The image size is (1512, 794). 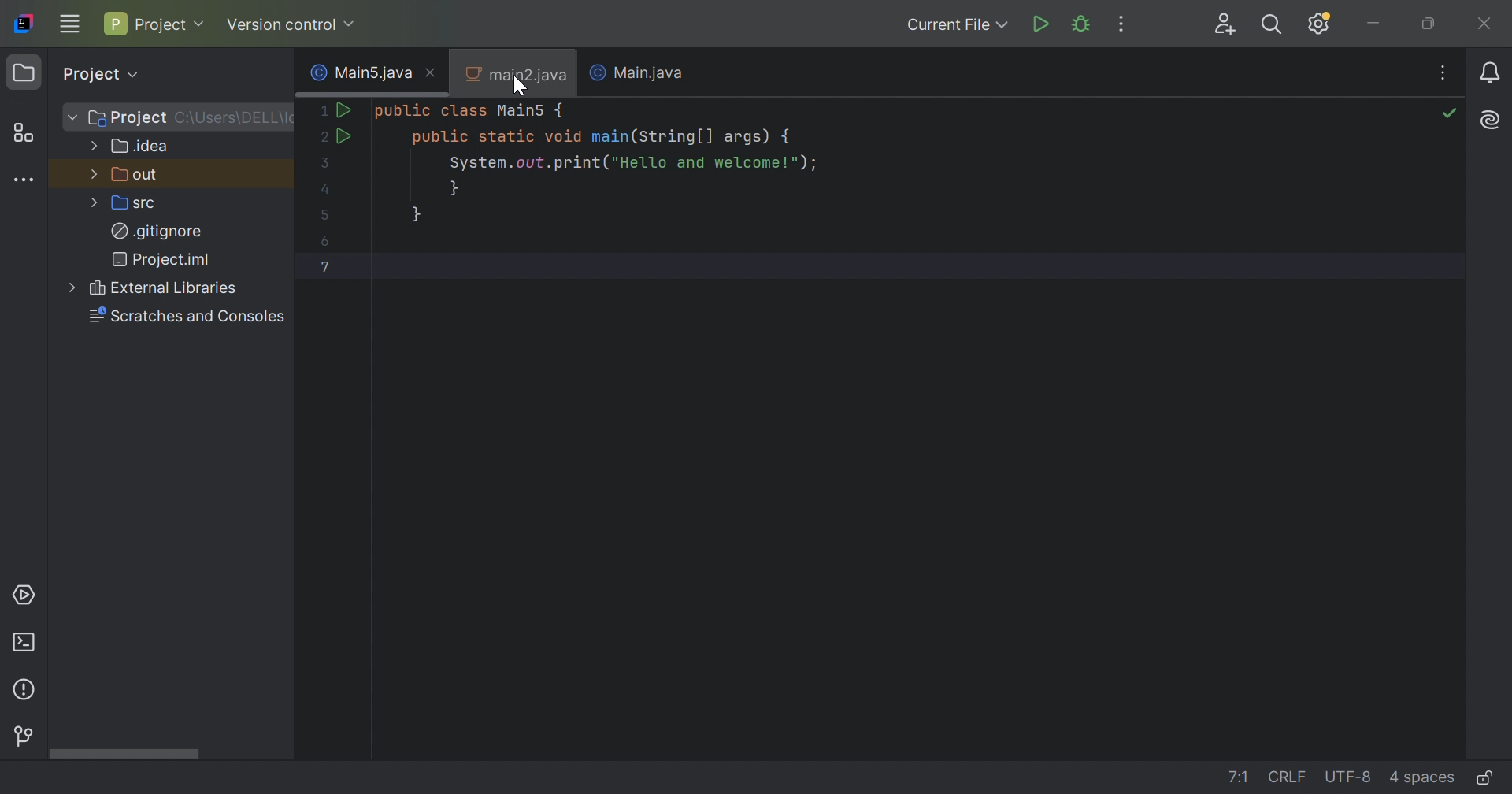 What do you see at coordinates (604, 135) in the screenshot?
I see `public static void main(String [] args) {` at bounding box center [604, 135].